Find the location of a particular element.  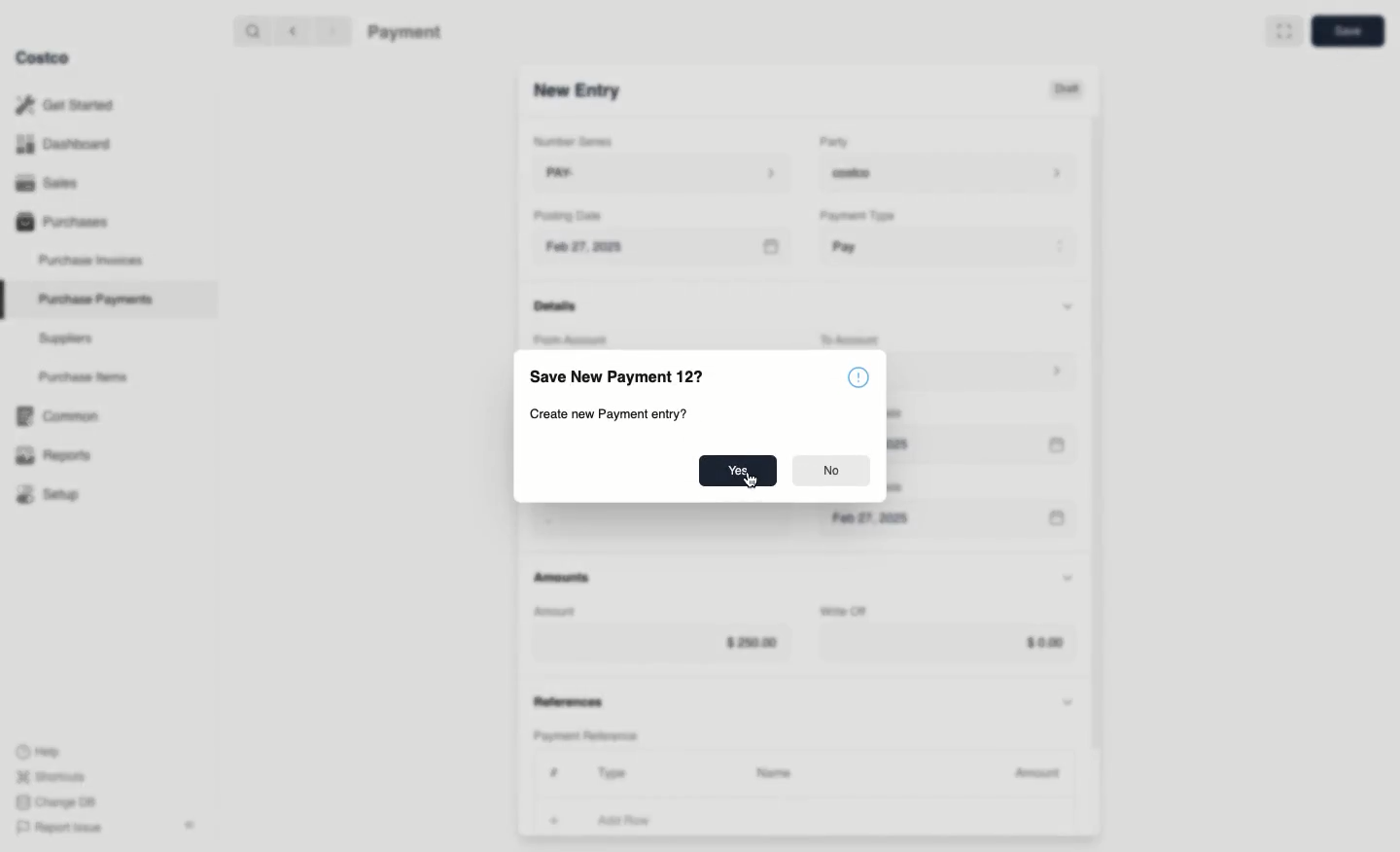

collapse is located at coordinates (189, 825).